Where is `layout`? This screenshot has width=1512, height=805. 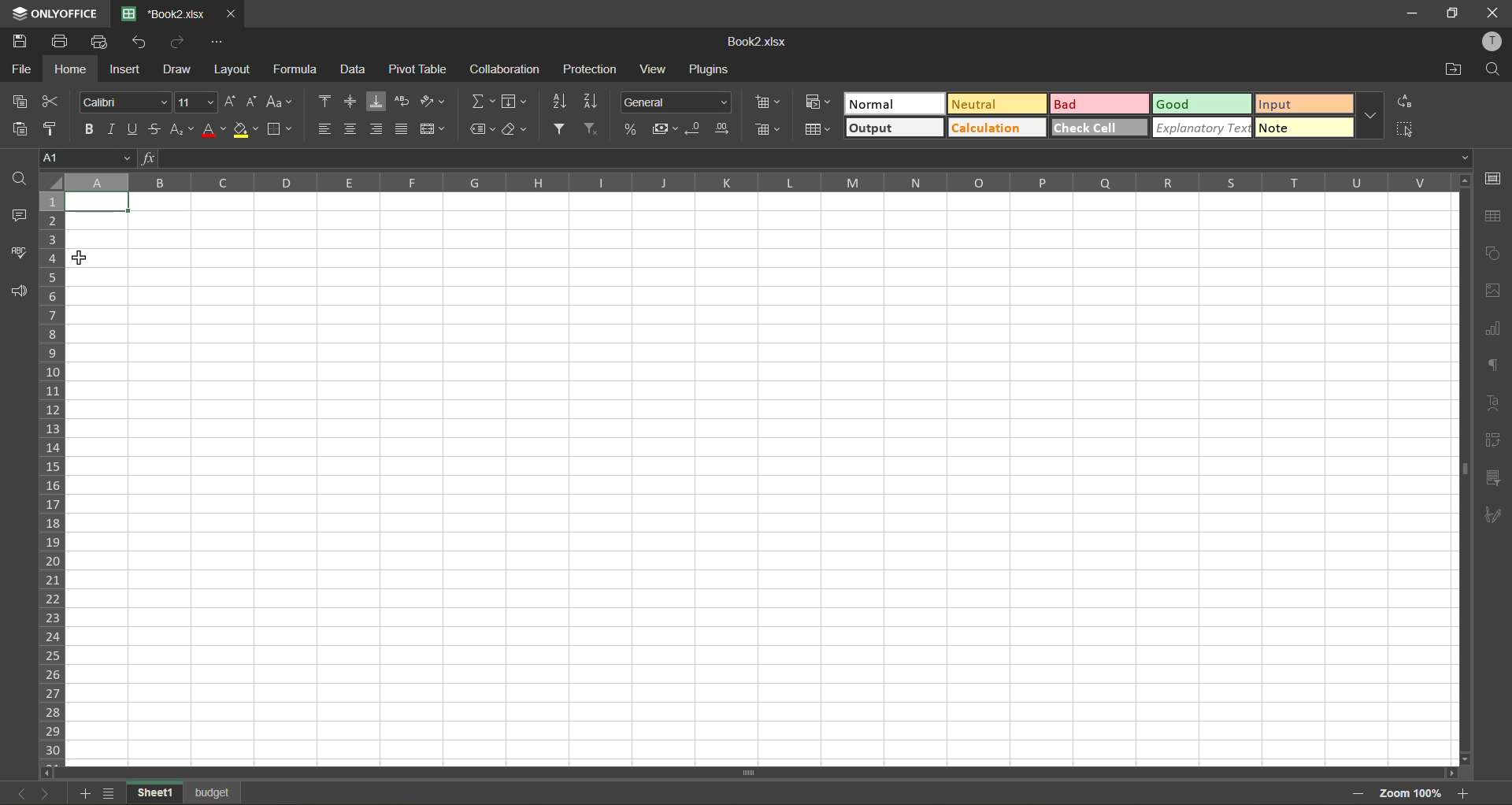
layout is located at coordinates (231, 69).